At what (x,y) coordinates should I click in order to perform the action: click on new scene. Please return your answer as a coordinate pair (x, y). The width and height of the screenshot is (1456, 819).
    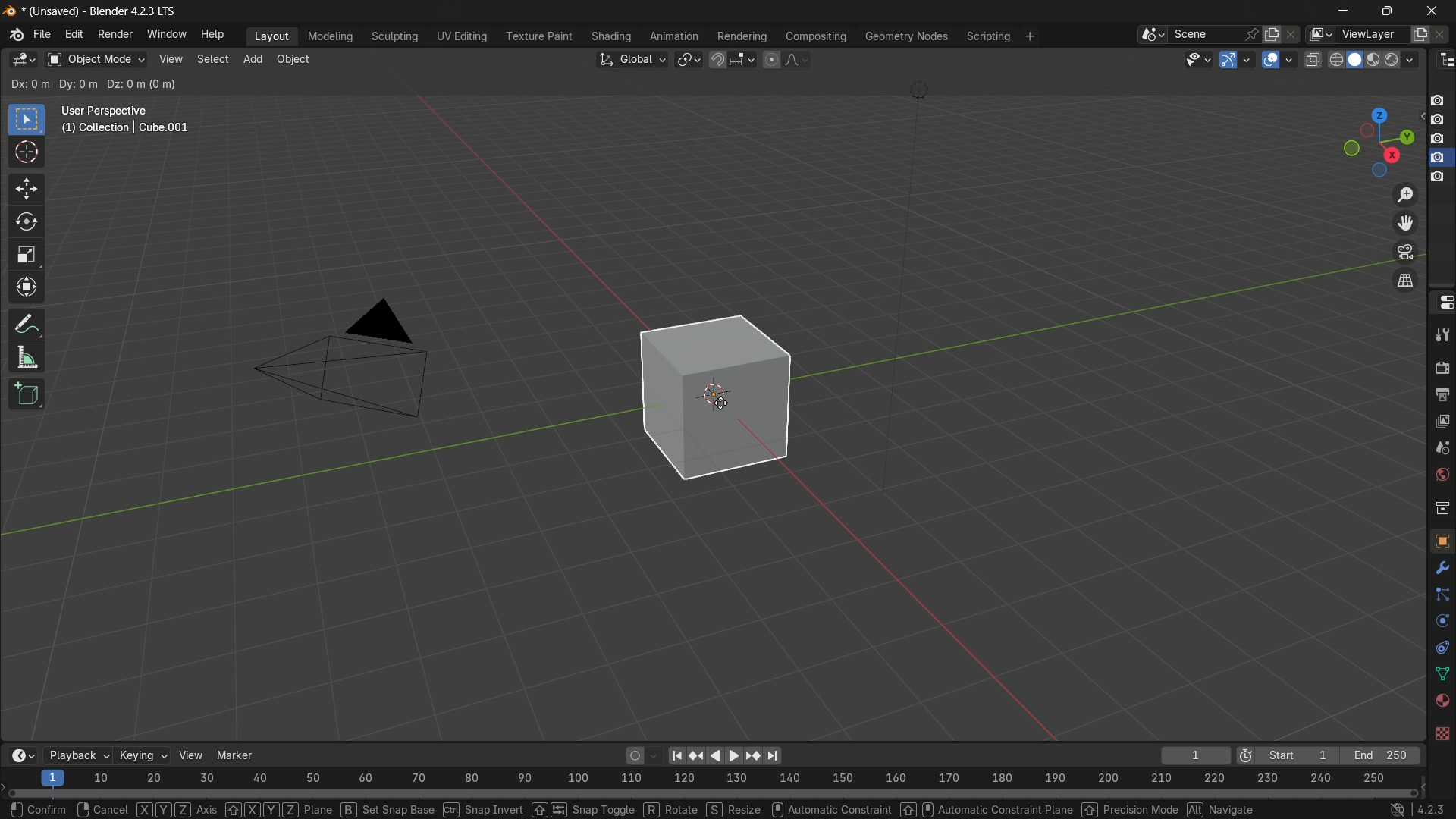
    Looking at the image, I should click on (1270, 33).